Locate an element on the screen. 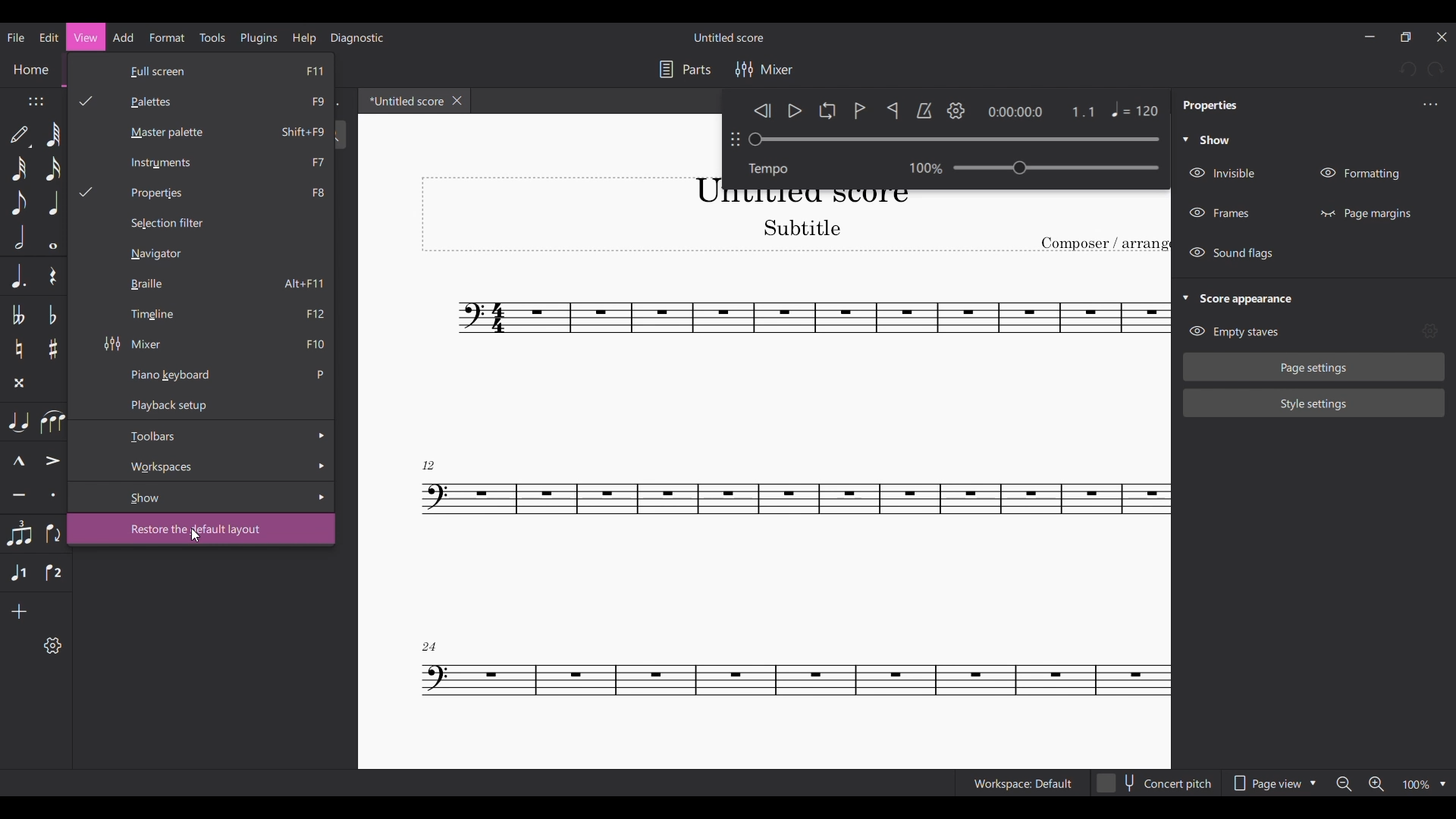 The height and width of the screenshot is (819, 1456). Parts is located at coordinates (686, 70).